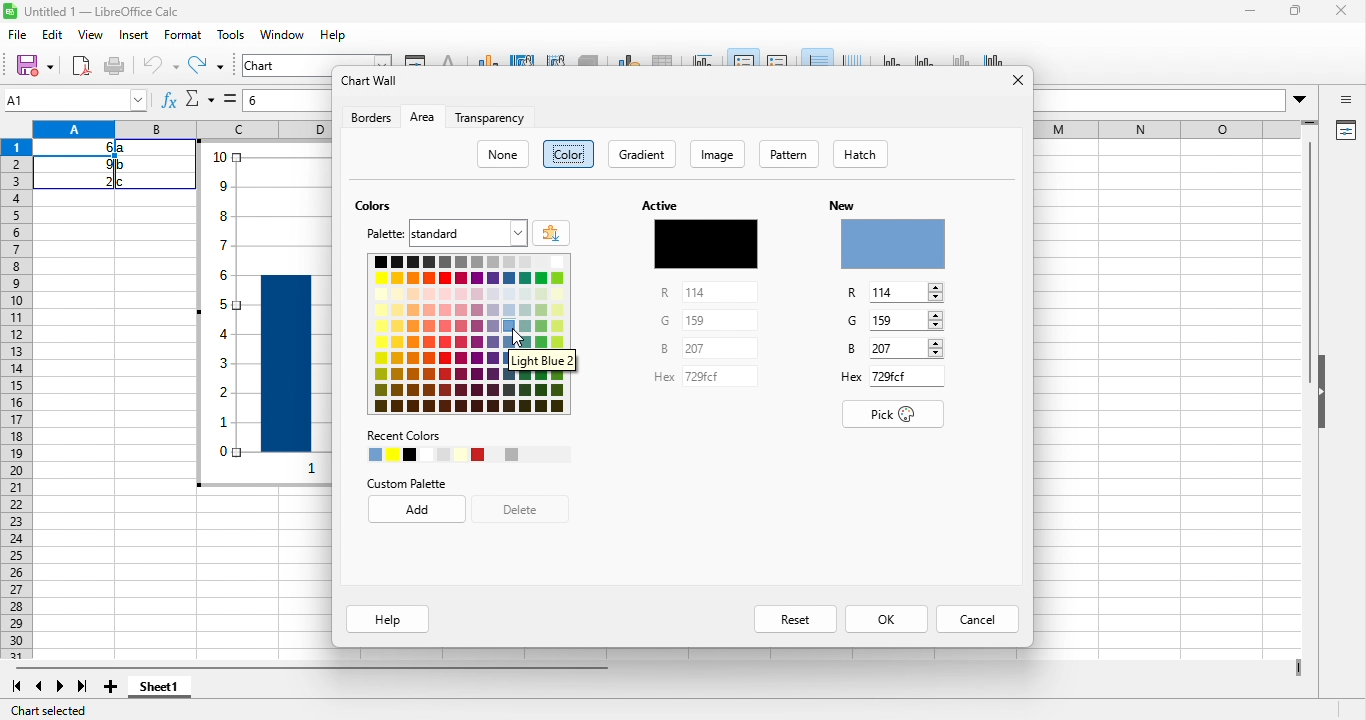 This screenshot has height=720, width=1366. I want to click on a, so click(124, 148).